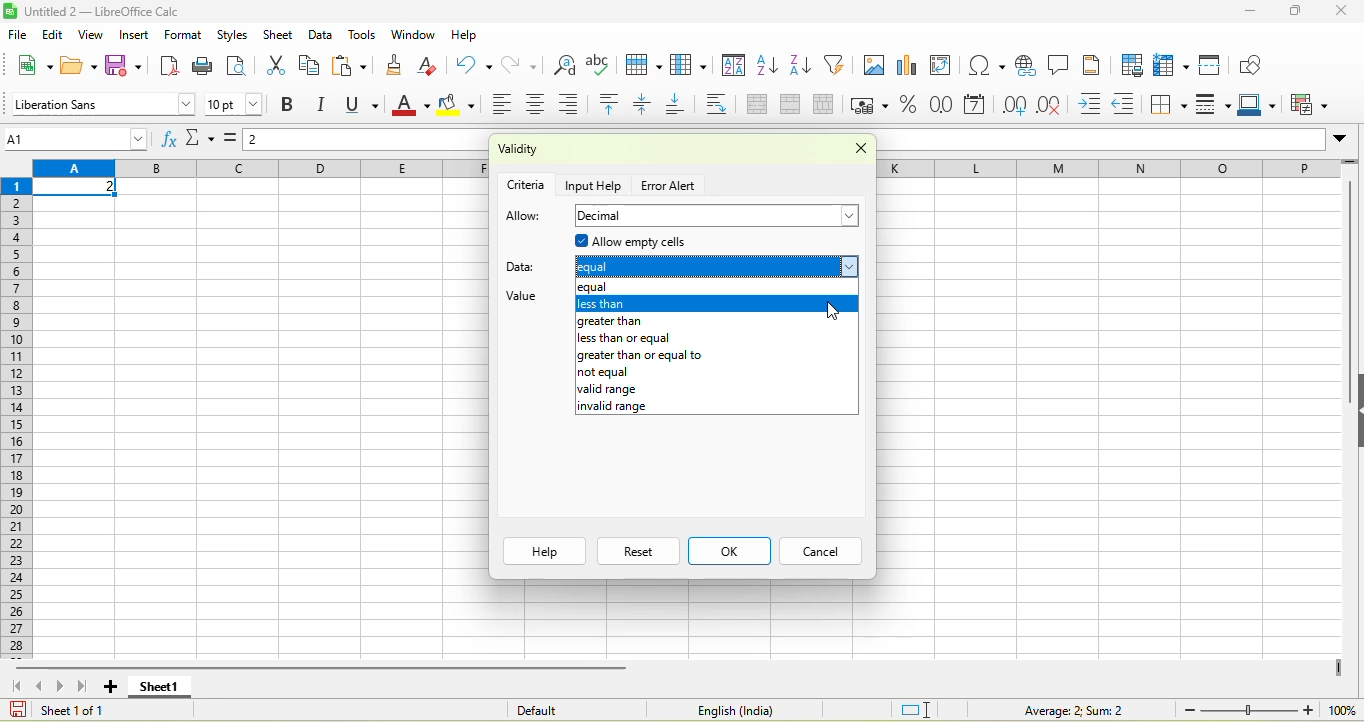 This screenshot has width=1364, height=722. What do you see at coordinates (1215, 64) in the screenshot?
I see `split window` at bounding box center [1215, 64].